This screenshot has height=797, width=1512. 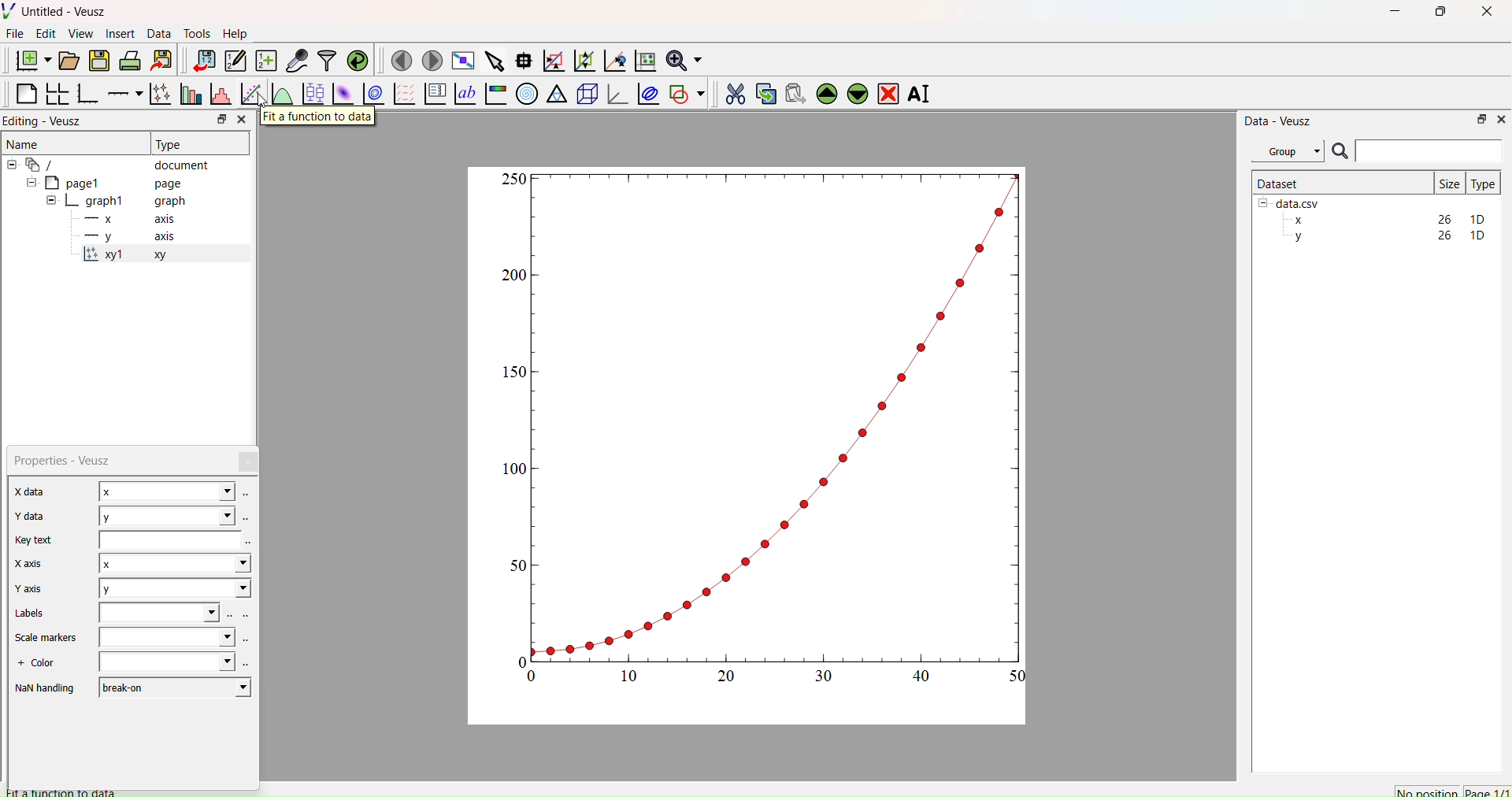 What do you see at coordinates (527, 94) in the screenshot?
I see `Polar Graph` at bounding box center [527, 94].